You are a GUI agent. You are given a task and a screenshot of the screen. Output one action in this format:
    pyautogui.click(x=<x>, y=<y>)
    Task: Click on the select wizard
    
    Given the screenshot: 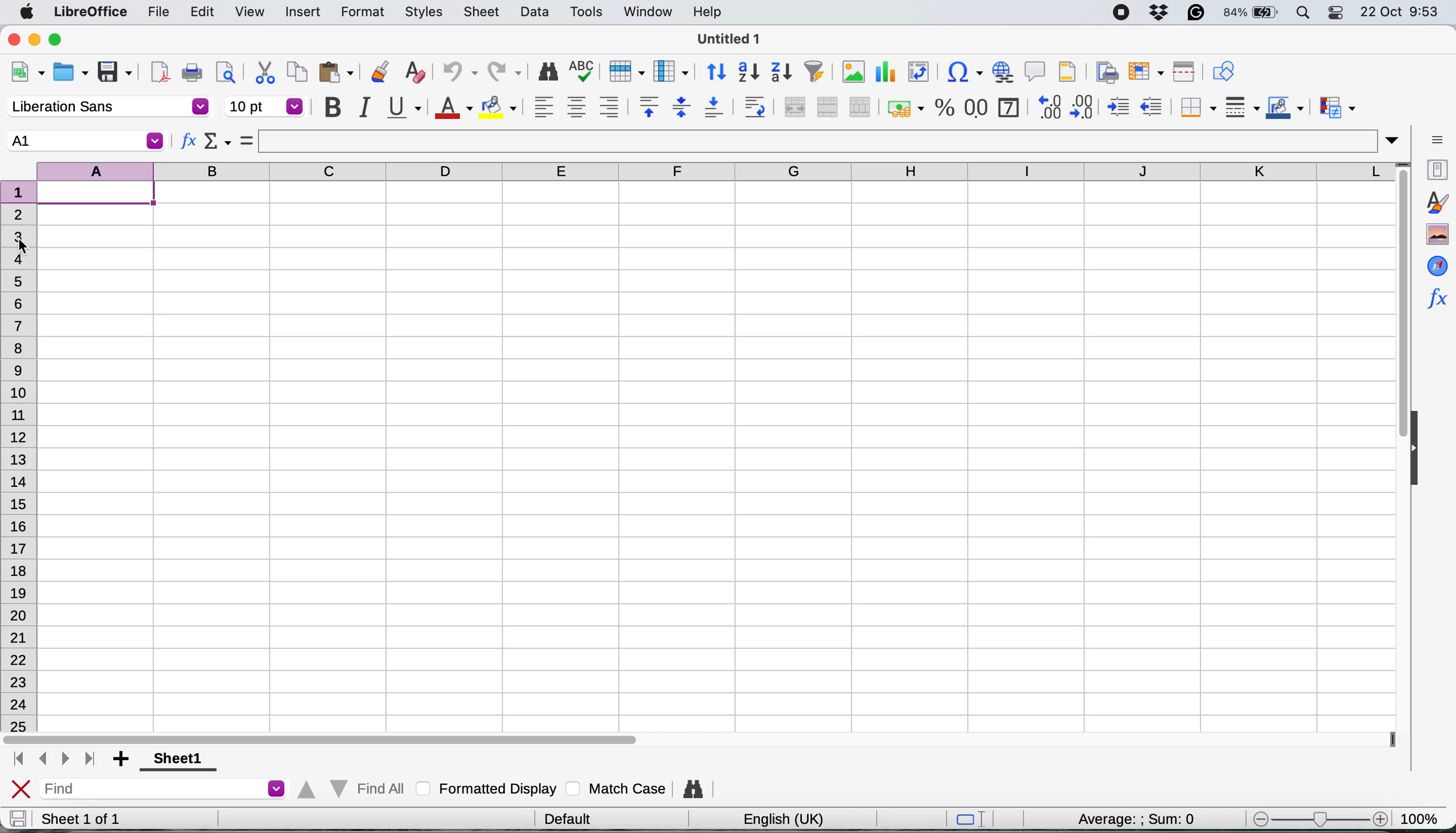 What is the action you would take?
    pyautogui.click(x=218, y=143)
    